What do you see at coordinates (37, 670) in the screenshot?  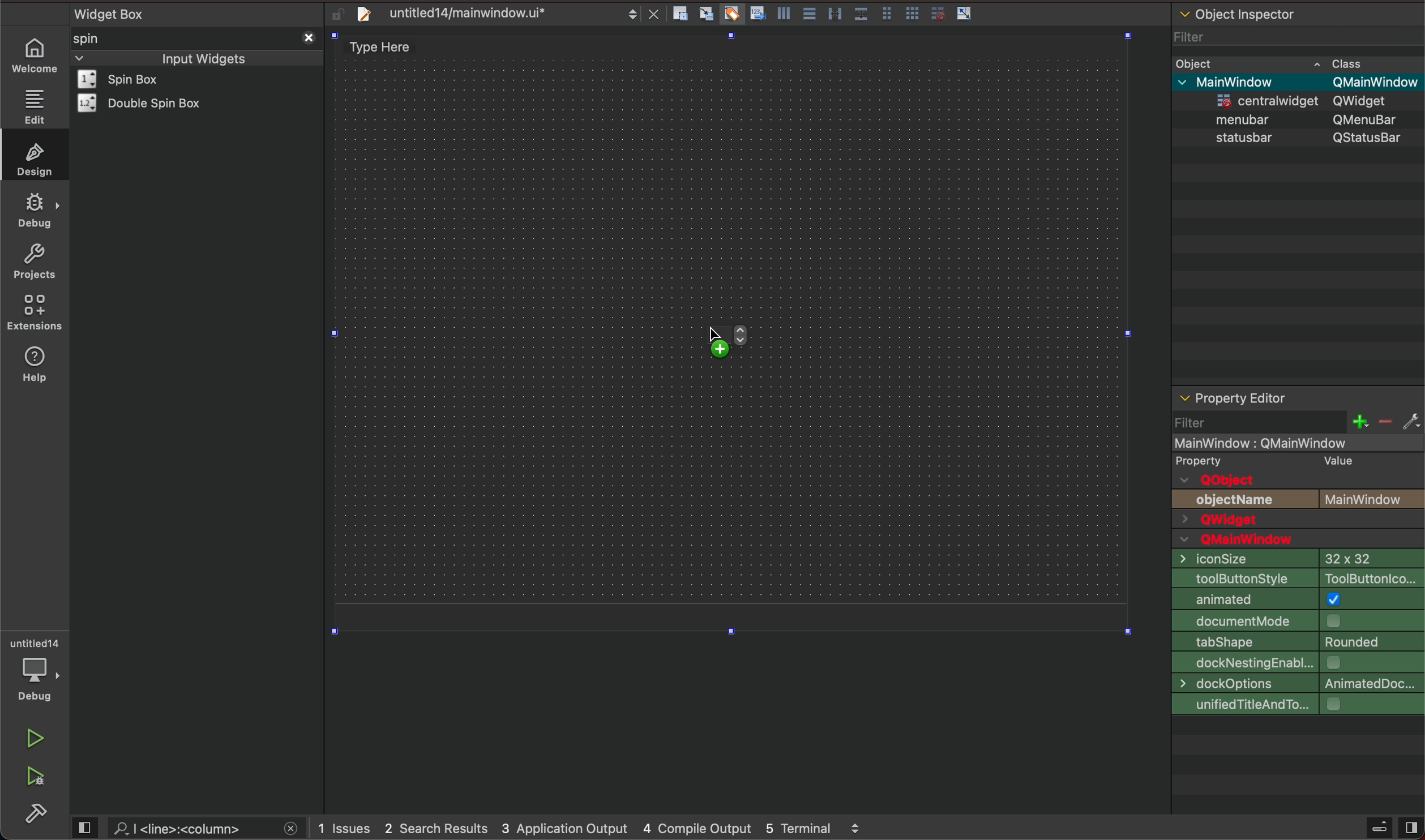 I see `debugger` at bounding box center [37, 670].